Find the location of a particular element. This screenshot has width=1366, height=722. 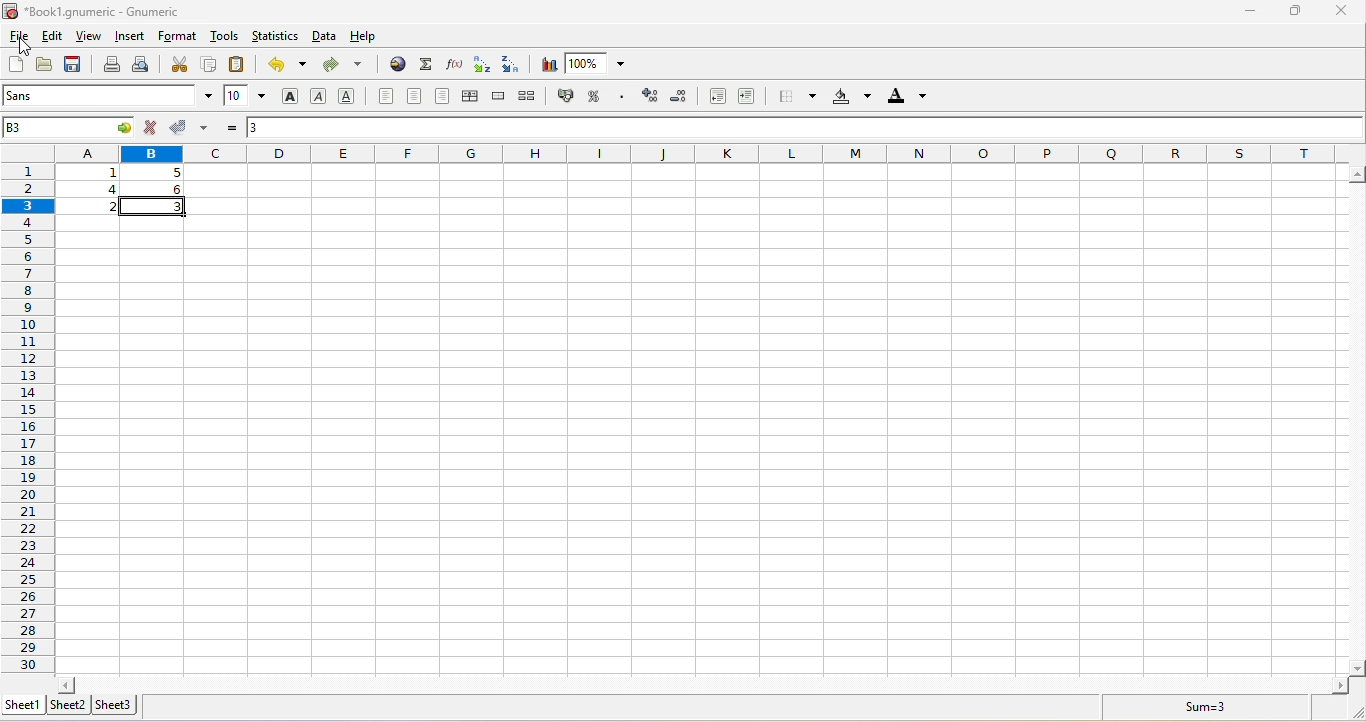

sheet 3 is located at coordinates (117, 704).